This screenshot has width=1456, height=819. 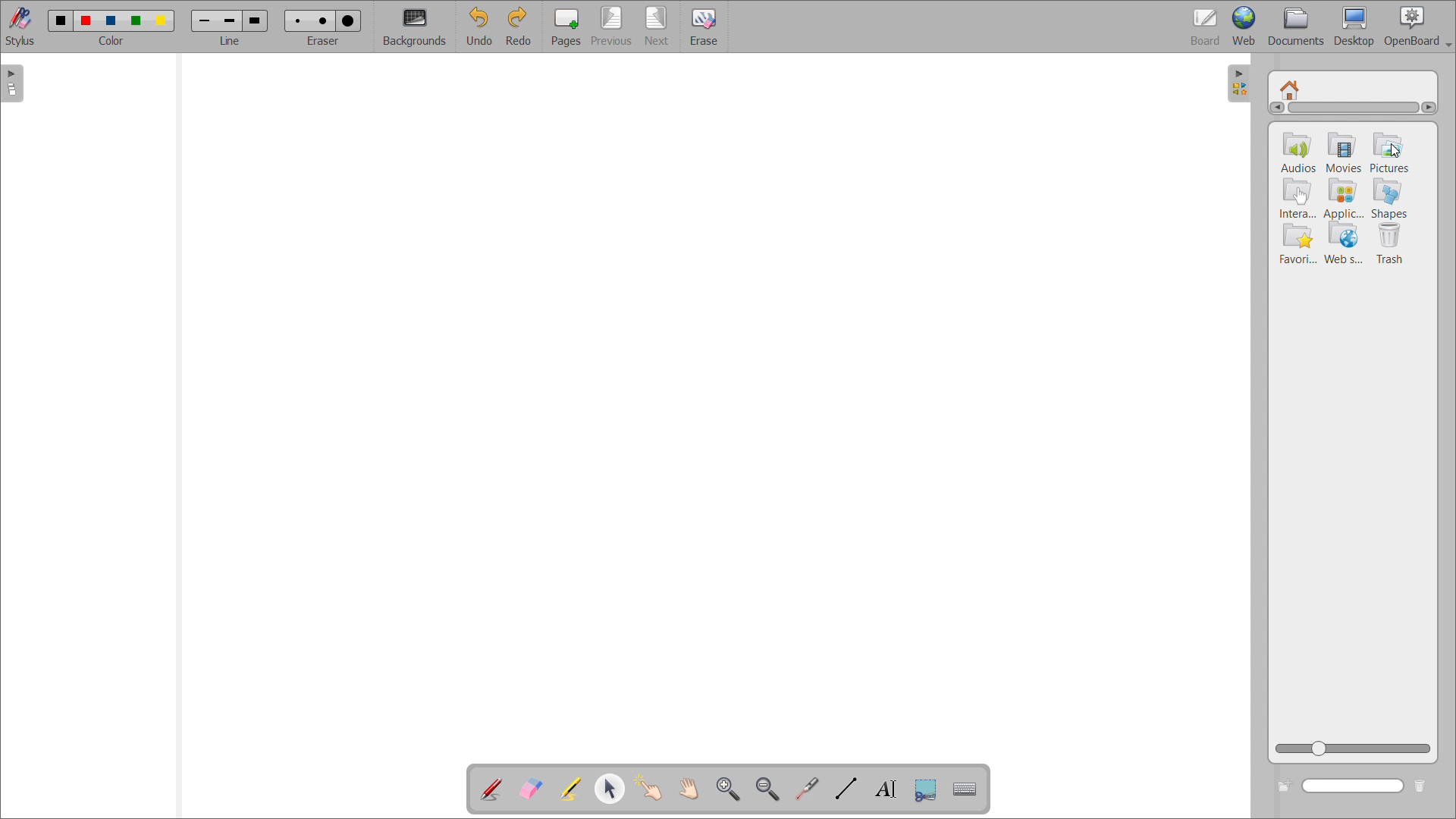 What do you see at coordinates (657, 25) in the screenshot?
I see `next page` at bounding box center [657, 25].